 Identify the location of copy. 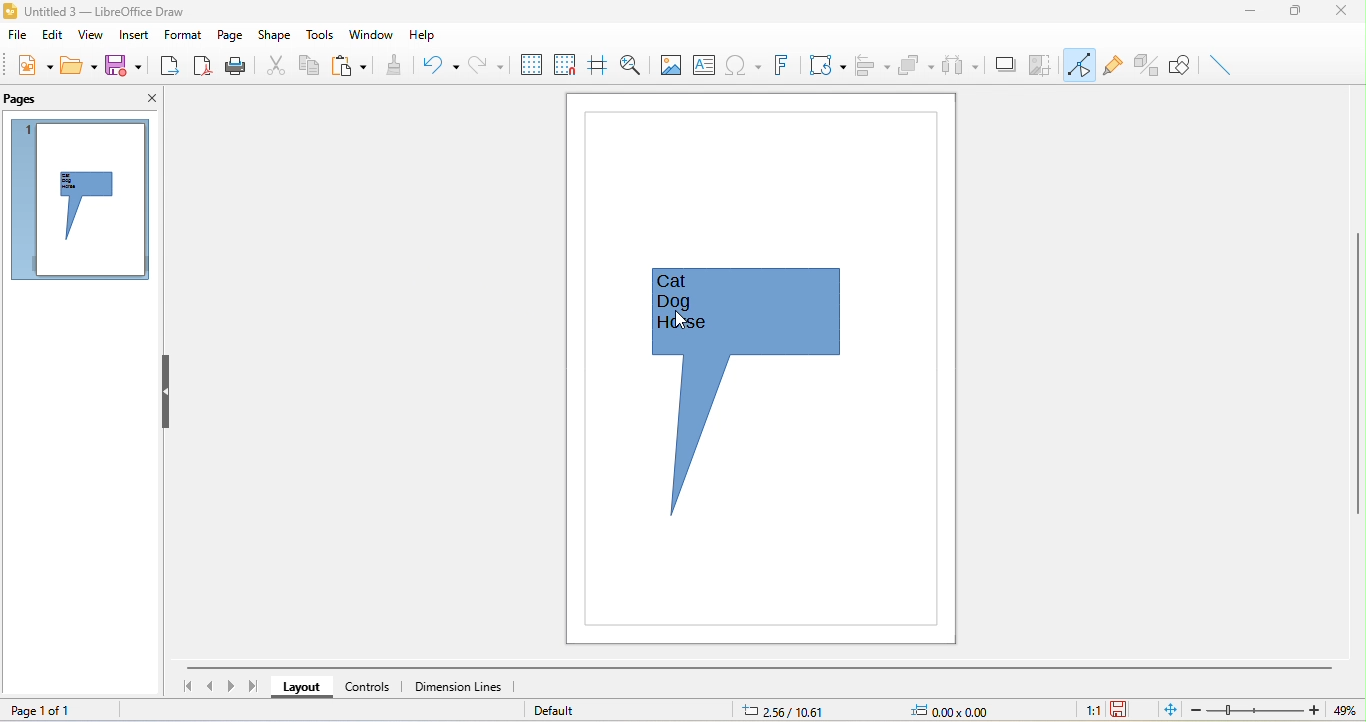
(310, 66).